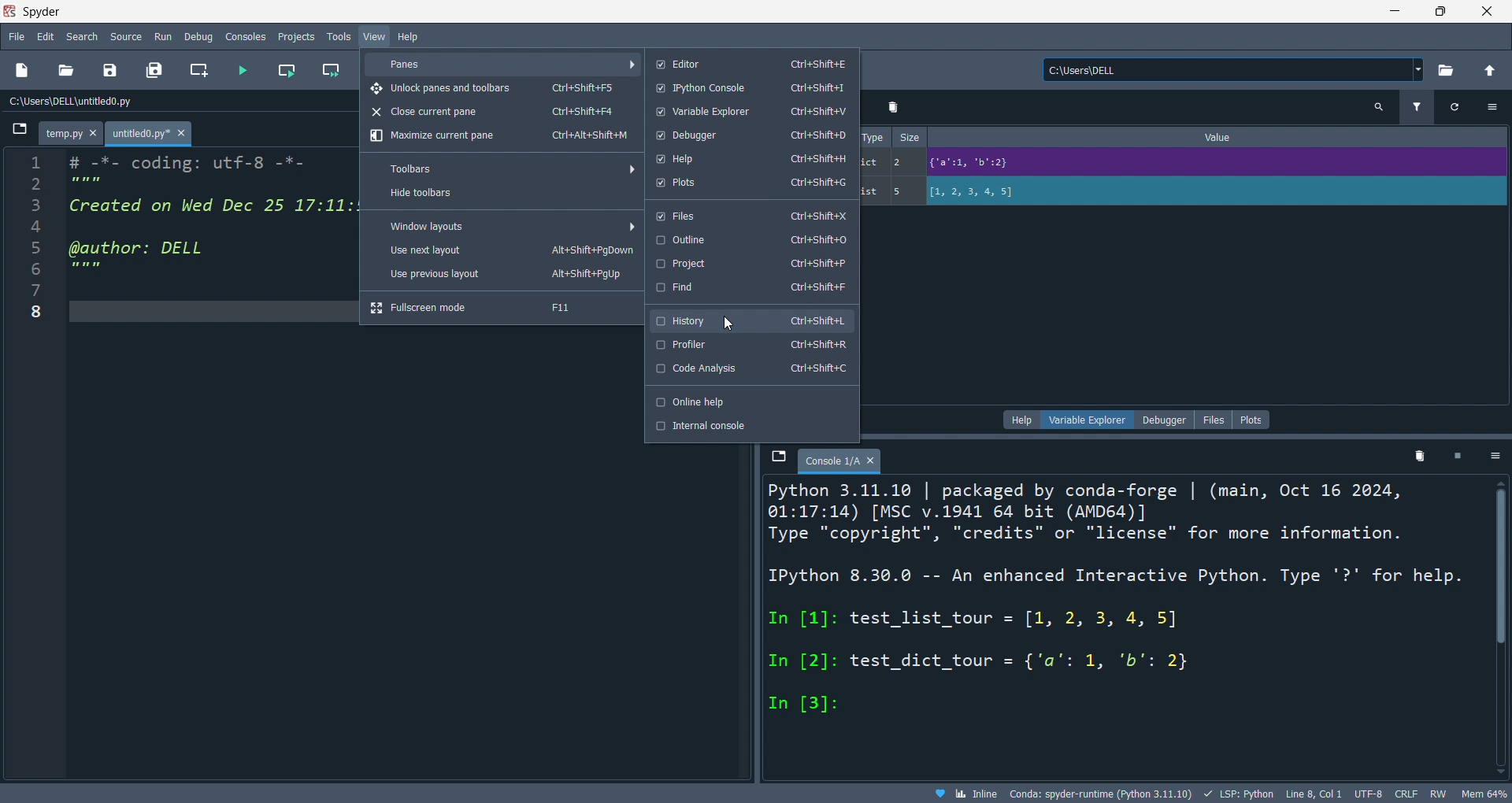 The height and width of the screenshot is (803, 1512). I want to click on filter, so click(1415, 109).